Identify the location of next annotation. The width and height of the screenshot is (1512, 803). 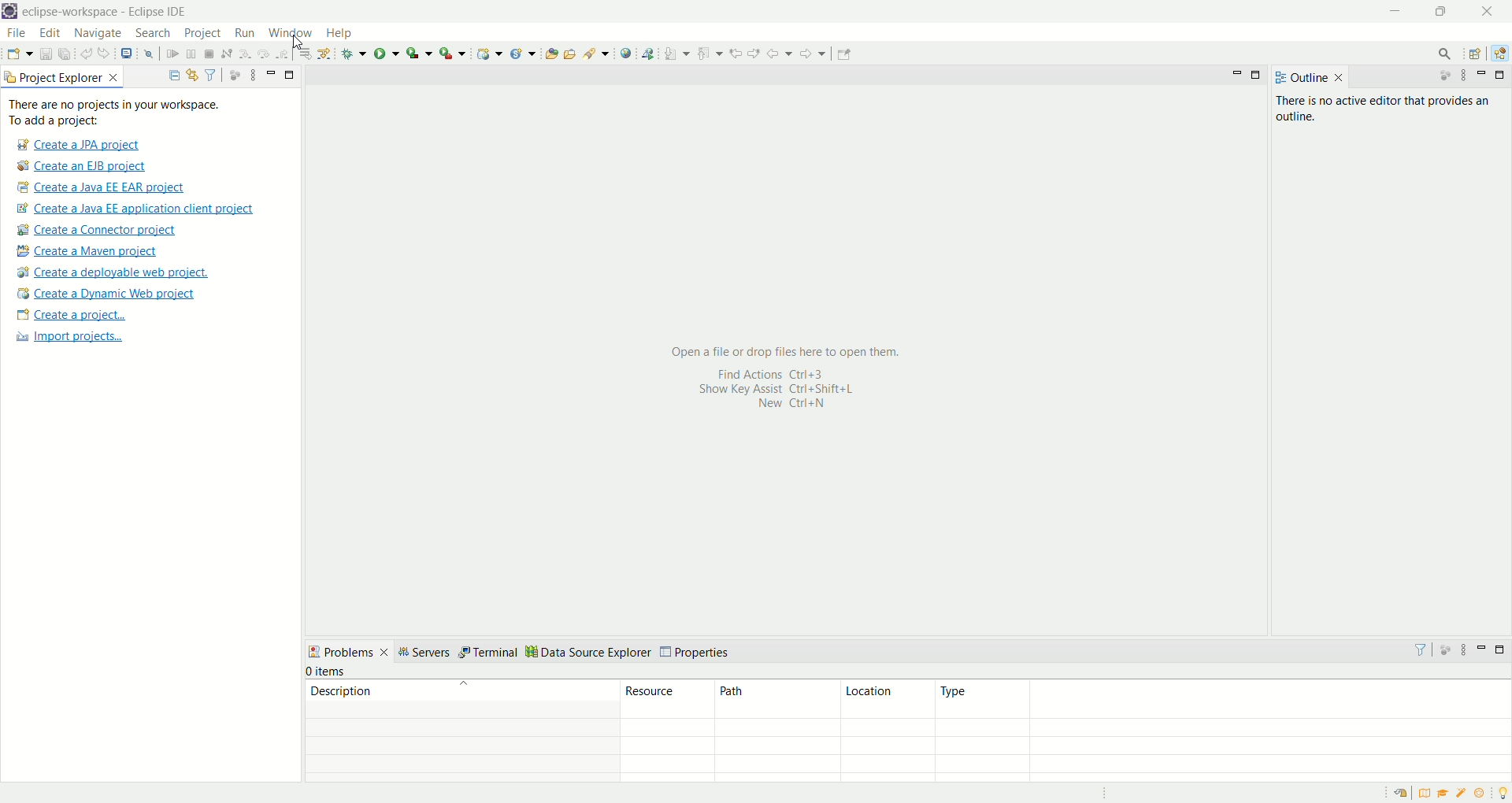
(677, 53).